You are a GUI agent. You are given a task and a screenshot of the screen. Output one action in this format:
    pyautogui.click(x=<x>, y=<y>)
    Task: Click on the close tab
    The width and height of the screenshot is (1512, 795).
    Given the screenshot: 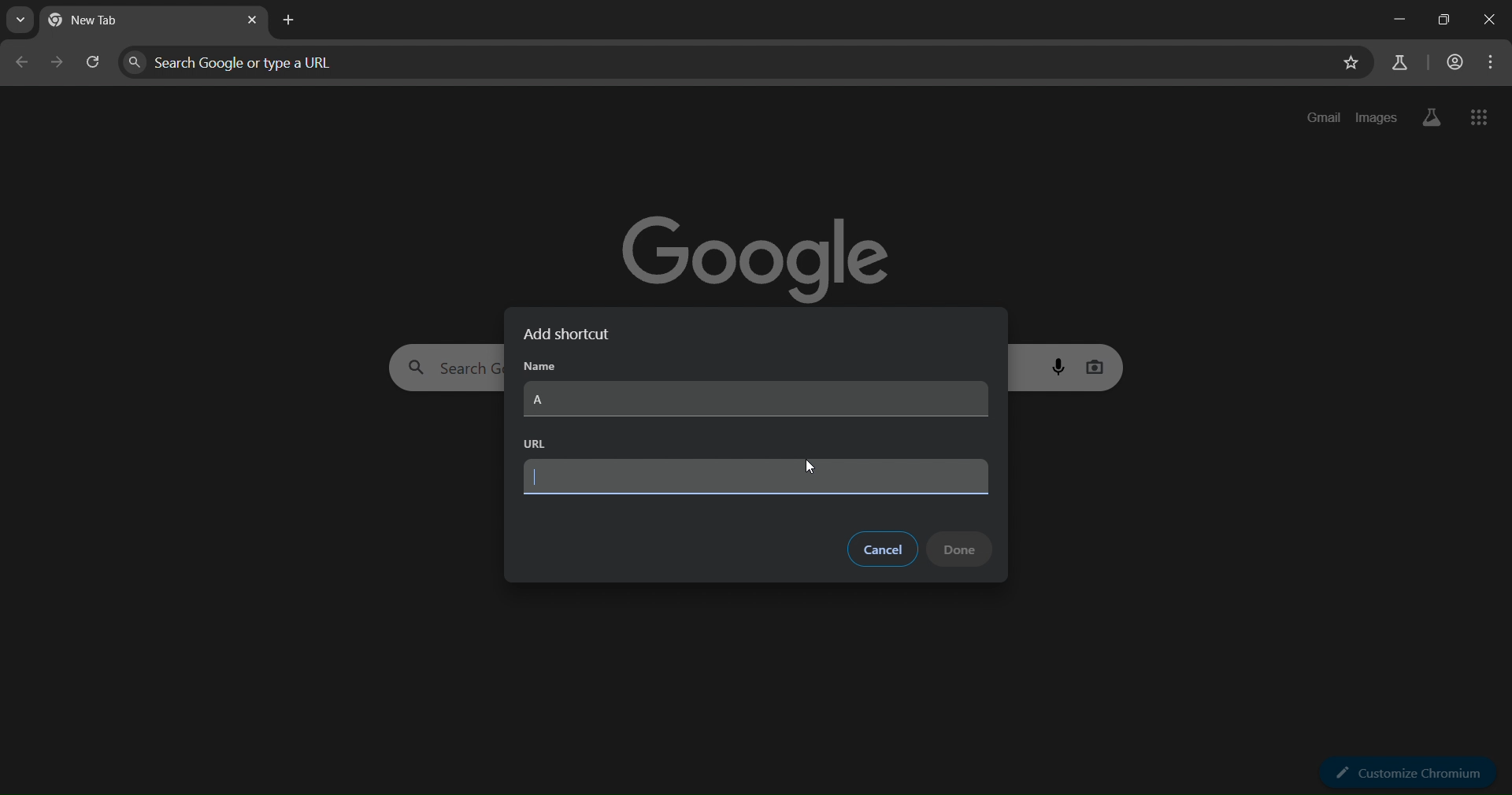 What is the action you would take?
    pyautogui.click(x=254, y=21)
    